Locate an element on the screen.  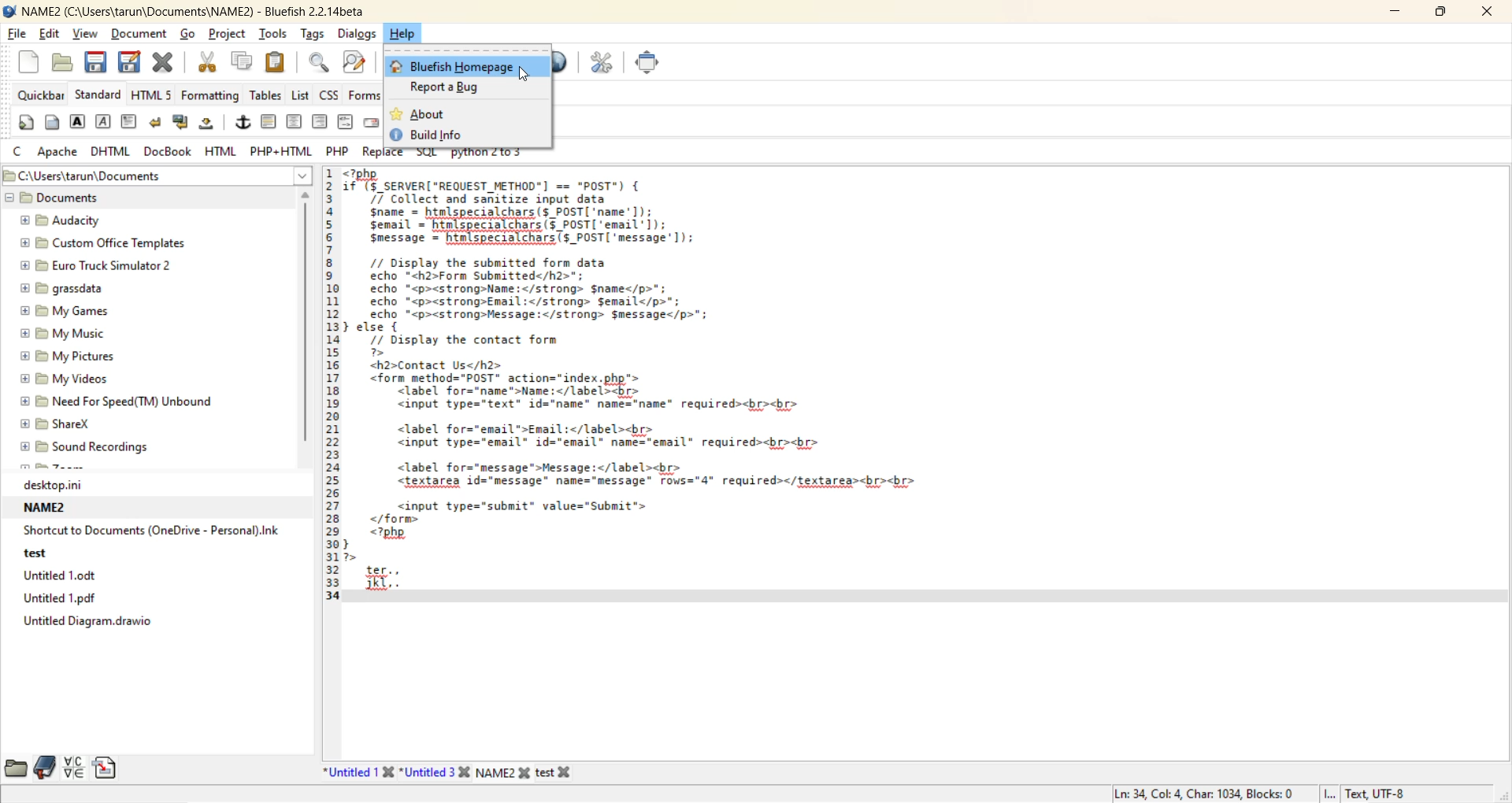
file path is located at coordinates (157, 176).